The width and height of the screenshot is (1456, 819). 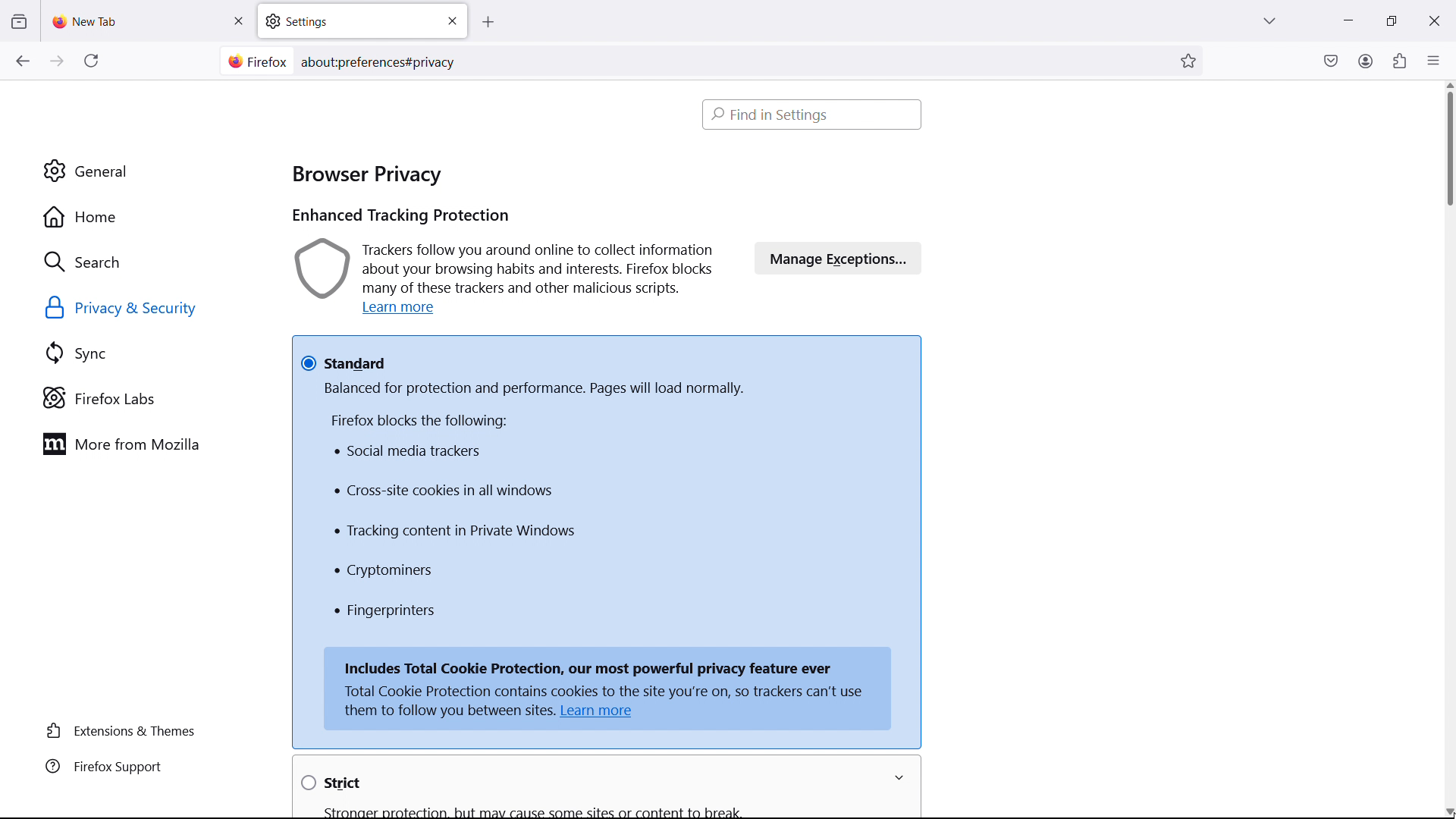 I want to click on search, so click(x=146, y=261).